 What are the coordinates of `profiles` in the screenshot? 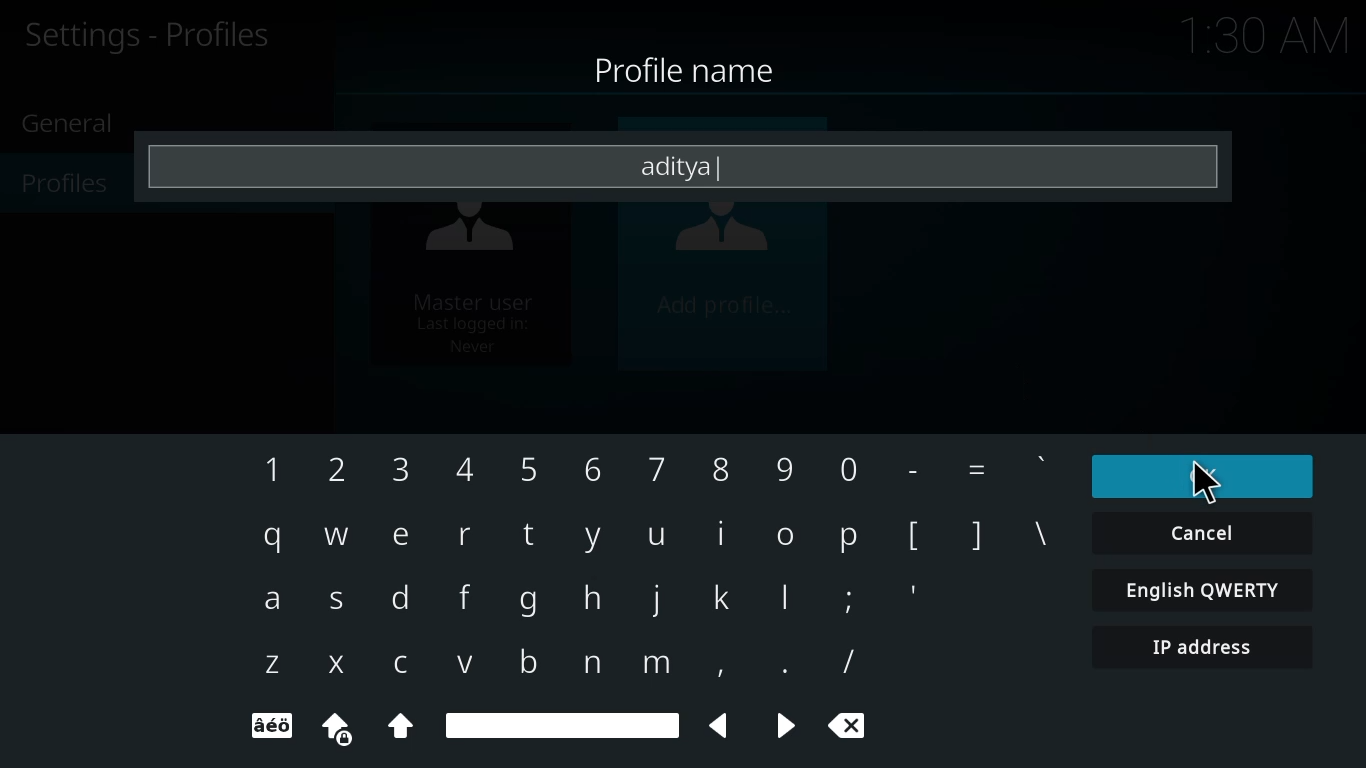 It's located at (69, 183).